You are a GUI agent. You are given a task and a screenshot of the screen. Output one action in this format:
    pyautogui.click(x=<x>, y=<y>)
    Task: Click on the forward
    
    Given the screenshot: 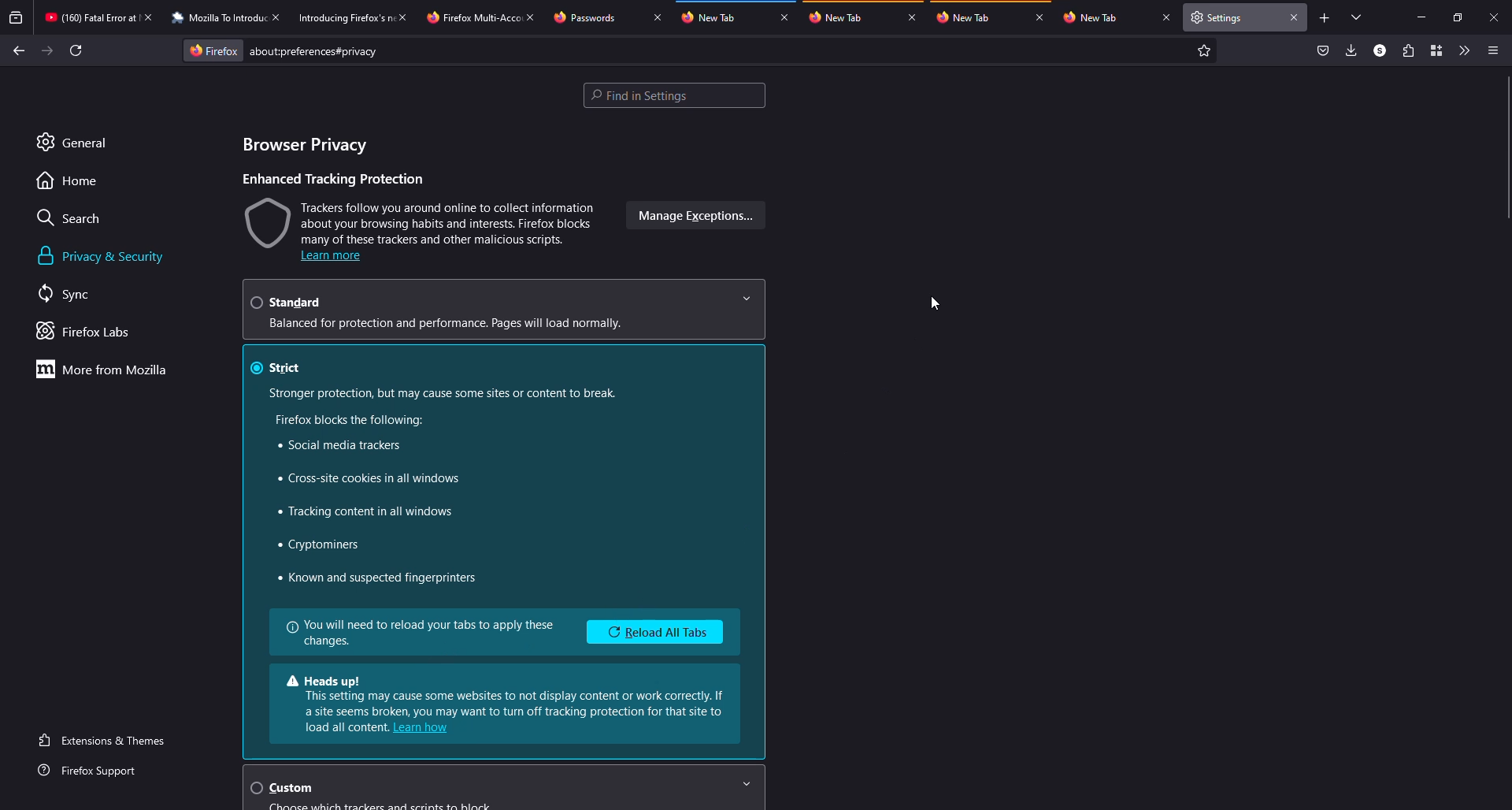 What is the action you would take?
    pyautogui.click(x=46, y=50)
    